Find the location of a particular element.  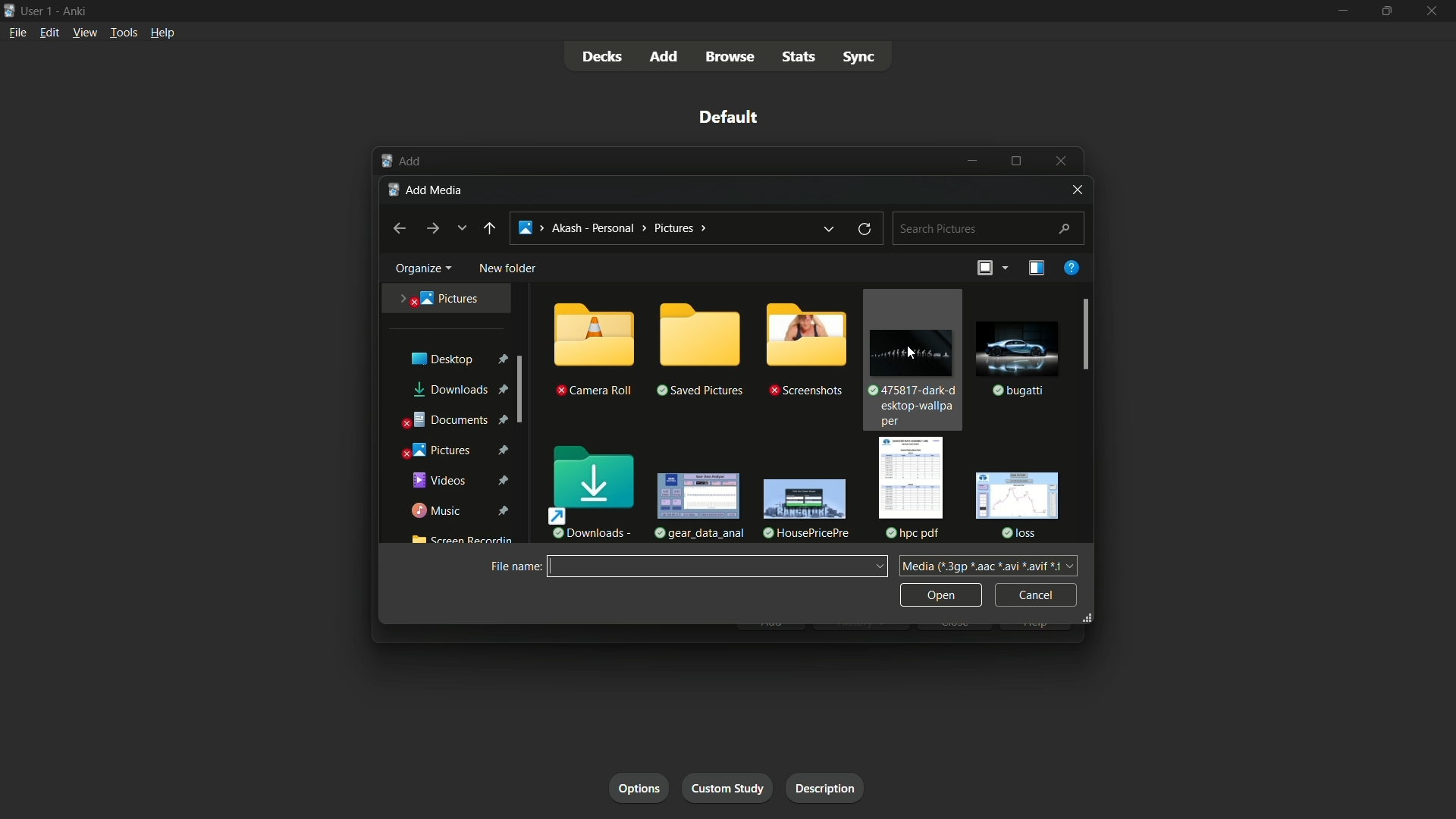

app name is located at coordinates (77, 9).